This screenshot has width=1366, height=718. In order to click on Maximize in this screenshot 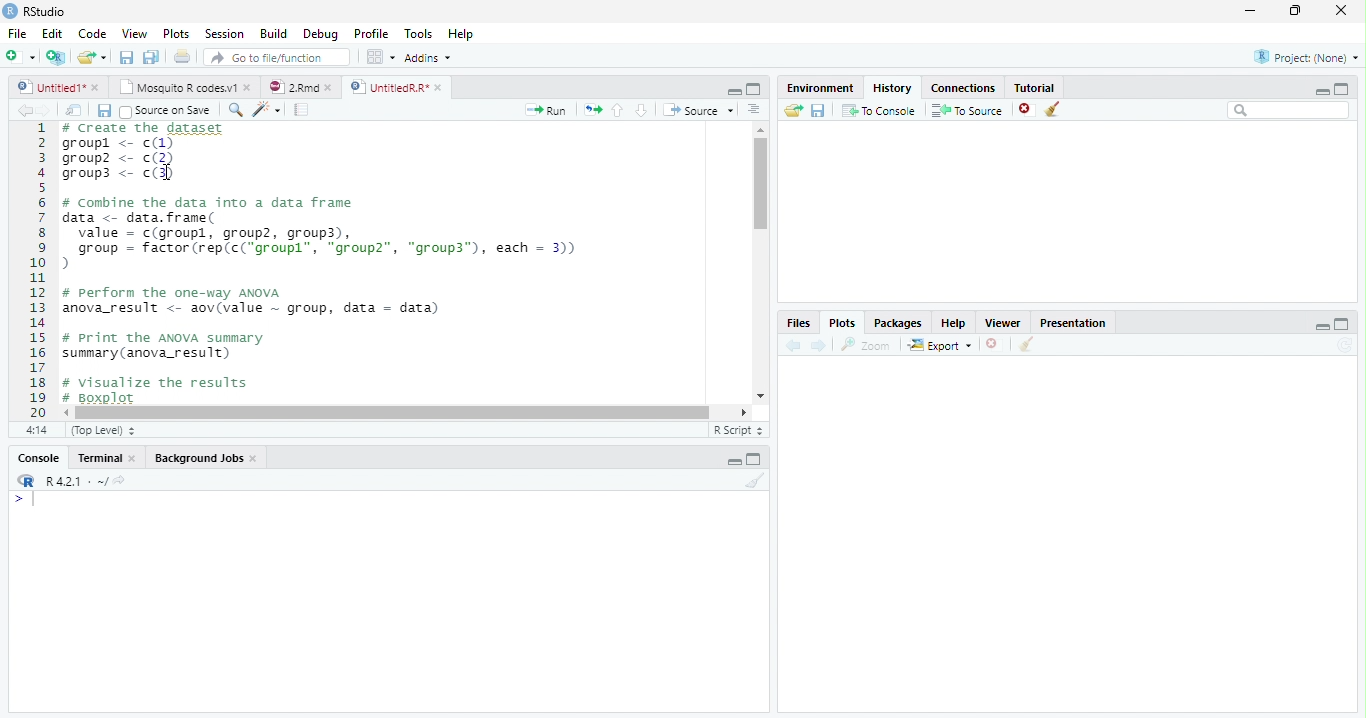, I will do `click(755, 461)`.